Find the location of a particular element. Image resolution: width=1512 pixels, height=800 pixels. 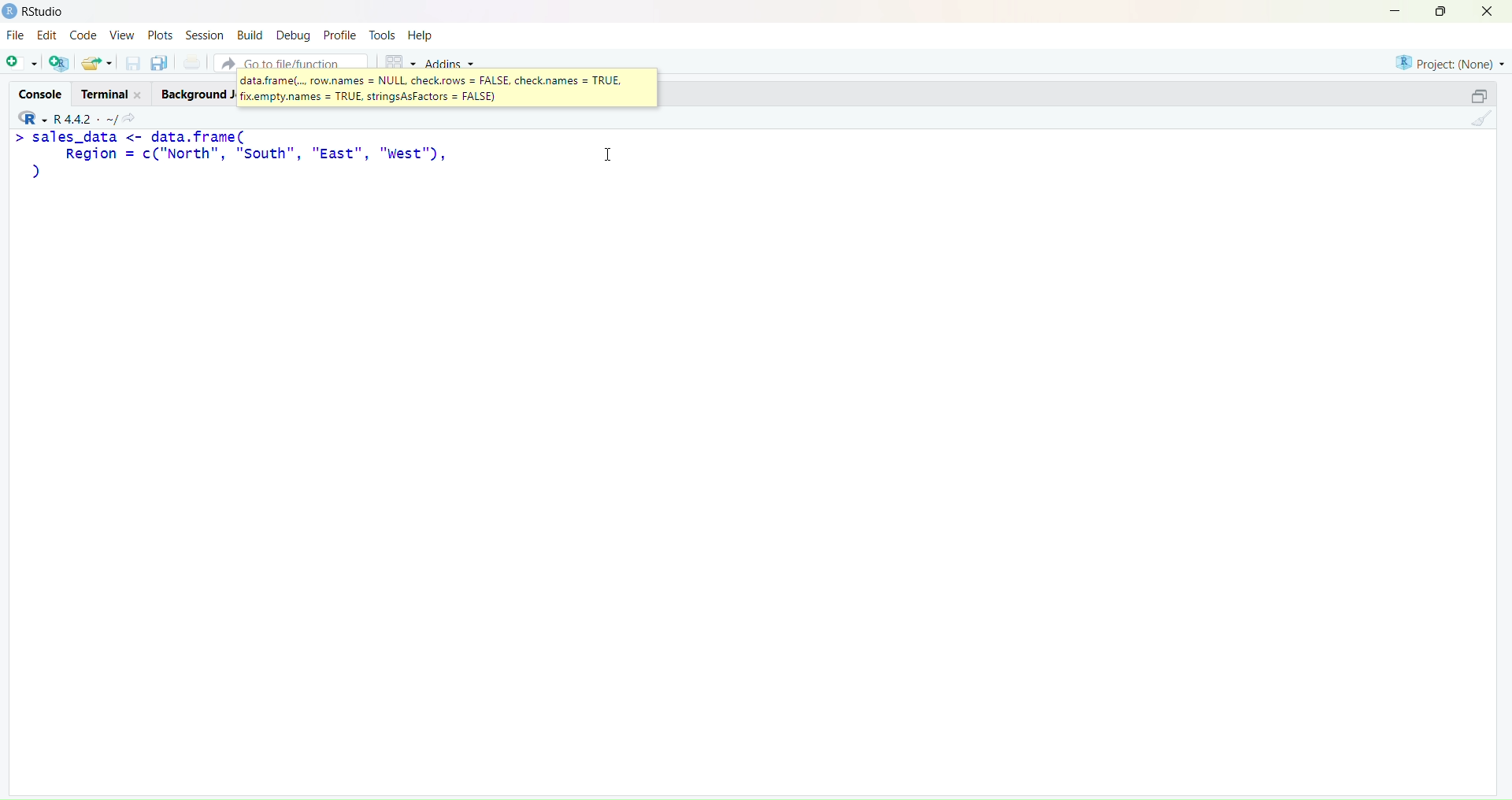

- R442 - ~/ is located at coordinates (87, 116).